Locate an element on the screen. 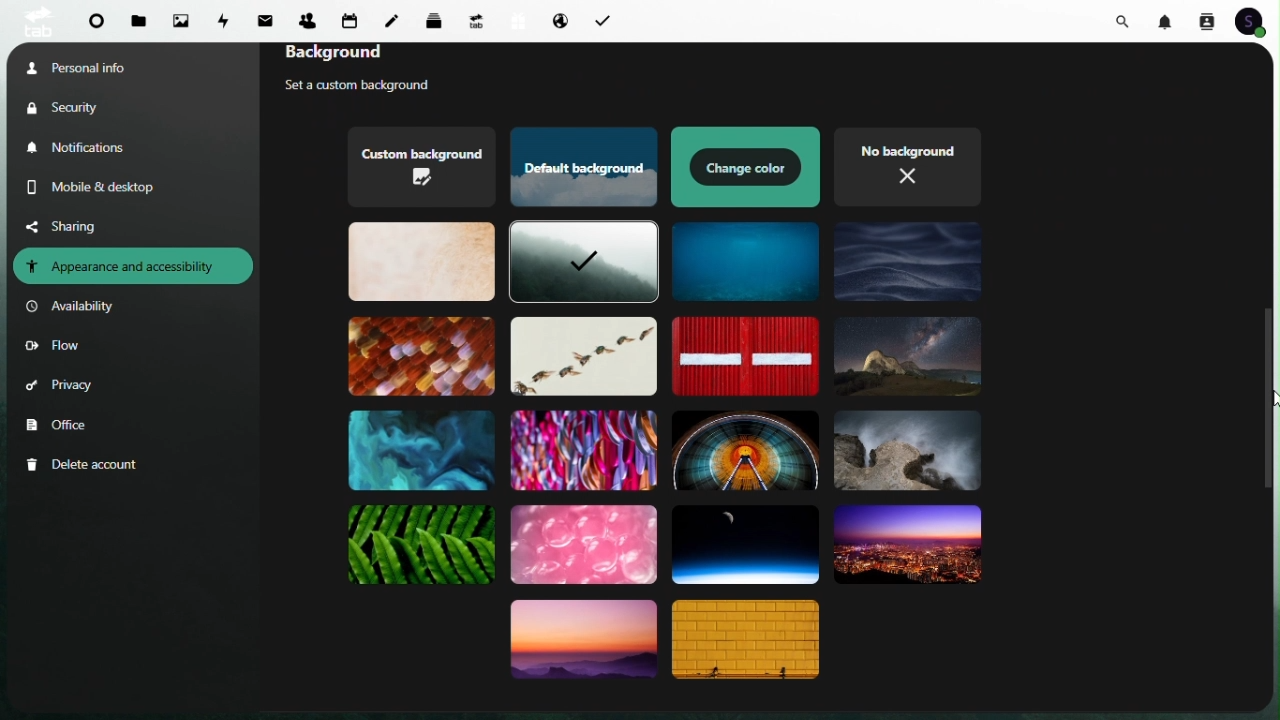 This screenshot has width=1280, height=720. Themes is located at coordinates (422, 168).